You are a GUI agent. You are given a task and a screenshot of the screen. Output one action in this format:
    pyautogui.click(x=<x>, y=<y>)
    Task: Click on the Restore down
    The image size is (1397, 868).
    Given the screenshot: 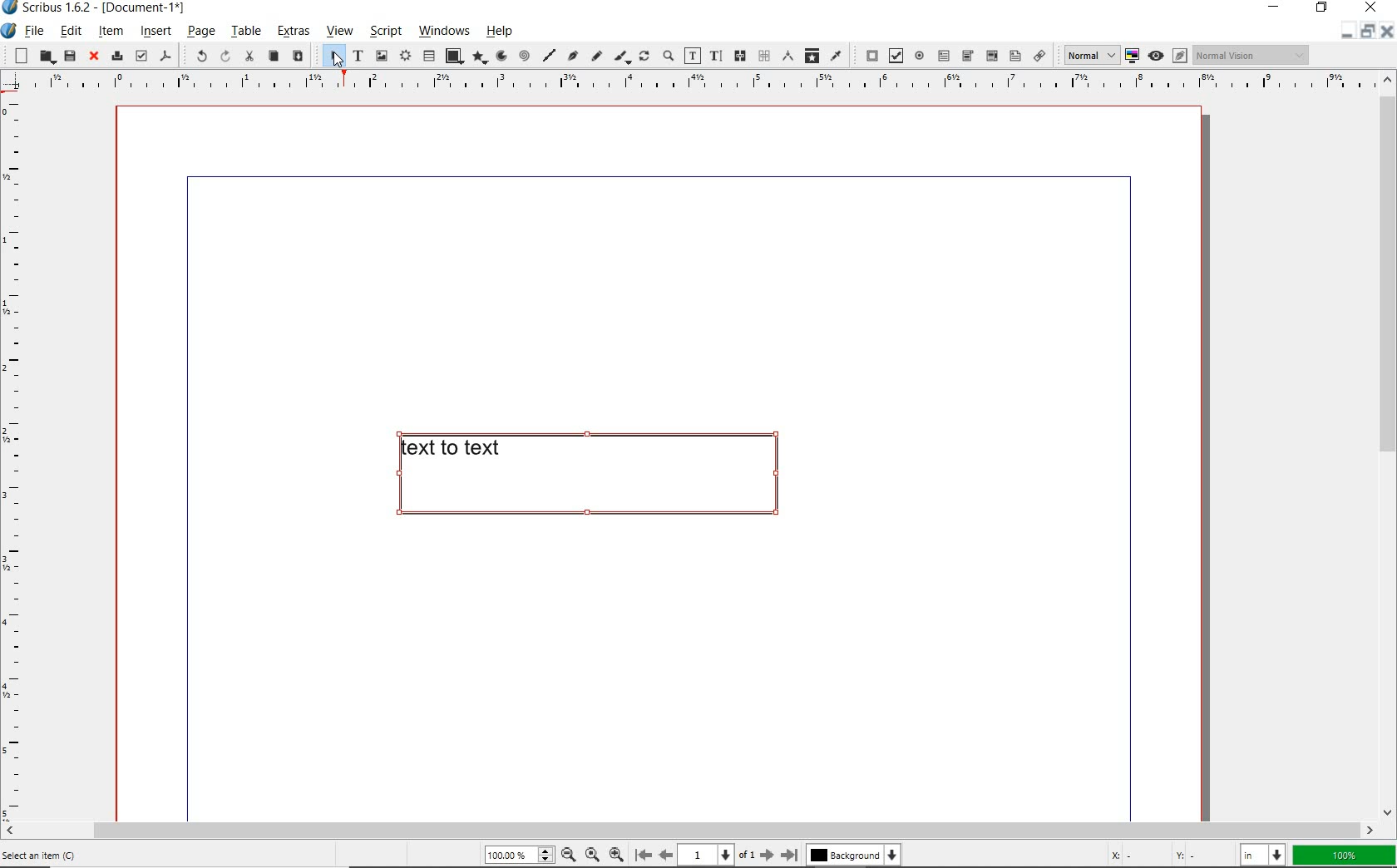 What is the action you would take?
    pyautogui.click(x=1345, y=32)
    